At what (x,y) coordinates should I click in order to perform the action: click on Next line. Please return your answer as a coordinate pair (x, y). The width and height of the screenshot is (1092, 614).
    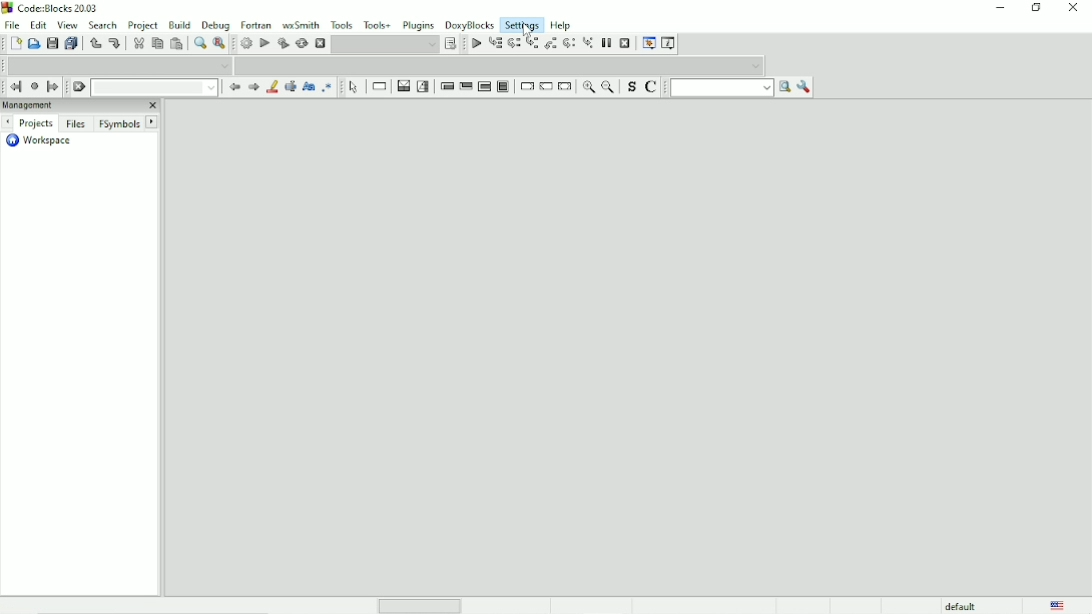
    Looking at the image, I should click on (514, 44).